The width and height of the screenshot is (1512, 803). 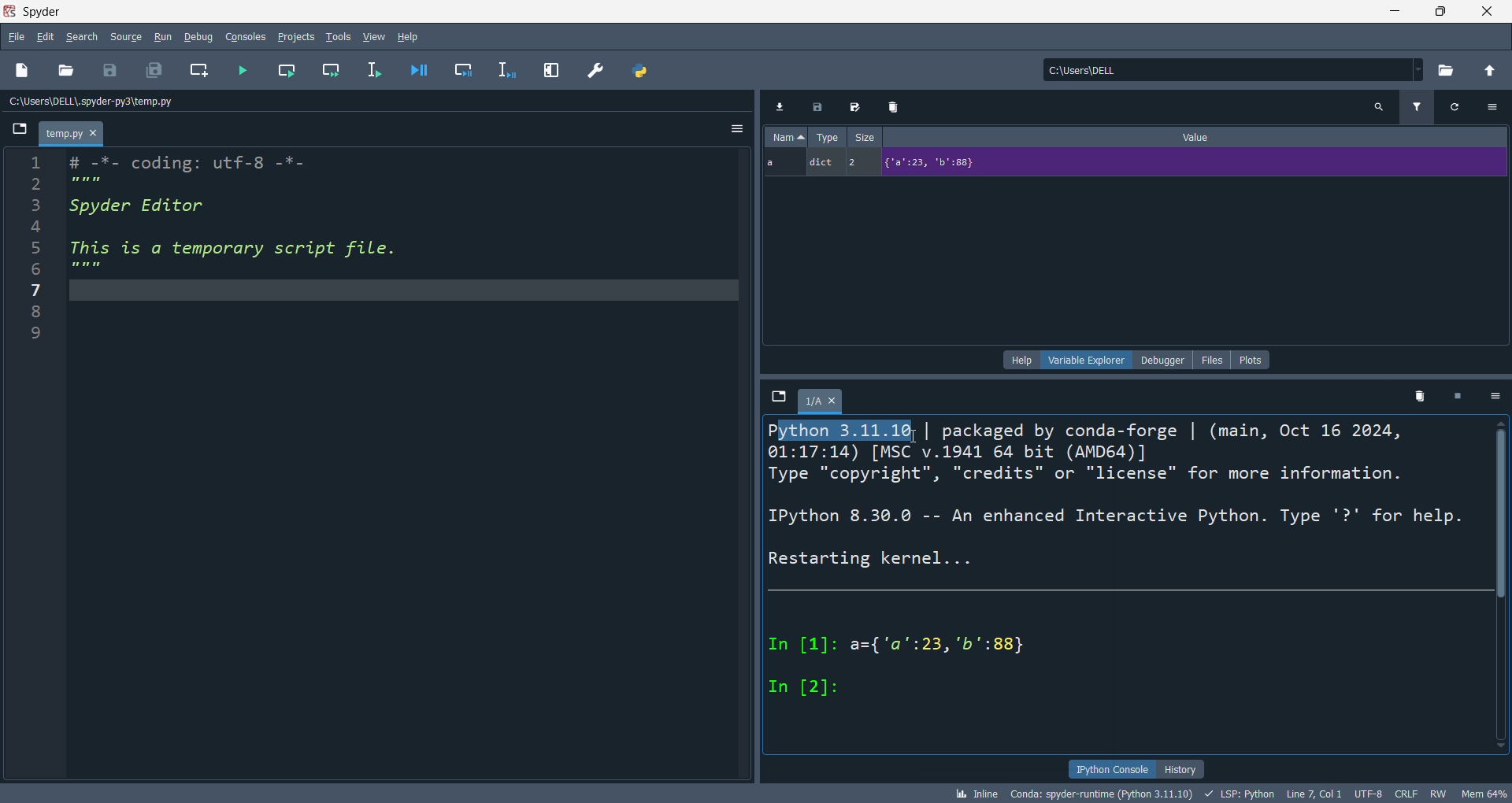 What do you see at coordinates (31, 464) in the screenshot?
I see `line number` at bounding box center [31, 464].